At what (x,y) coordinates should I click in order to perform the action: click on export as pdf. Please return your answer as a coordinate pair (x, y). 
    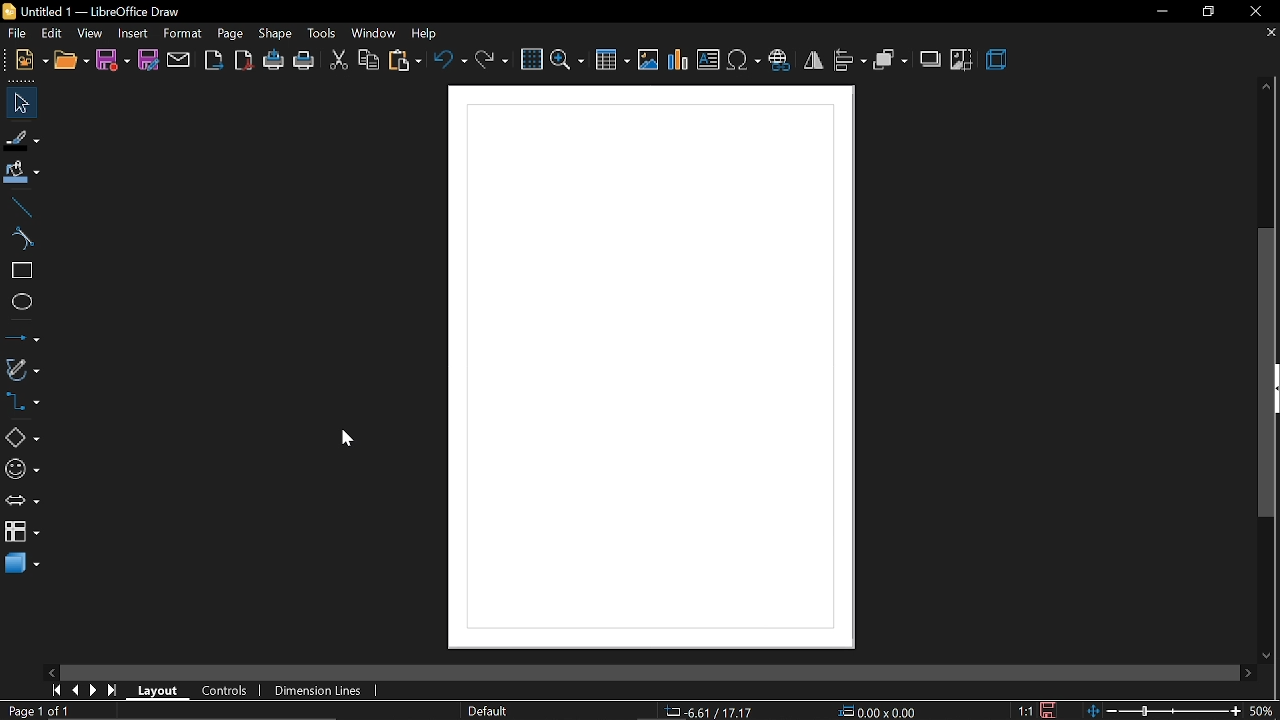
    Looking at the image, I should click on (243, 62).